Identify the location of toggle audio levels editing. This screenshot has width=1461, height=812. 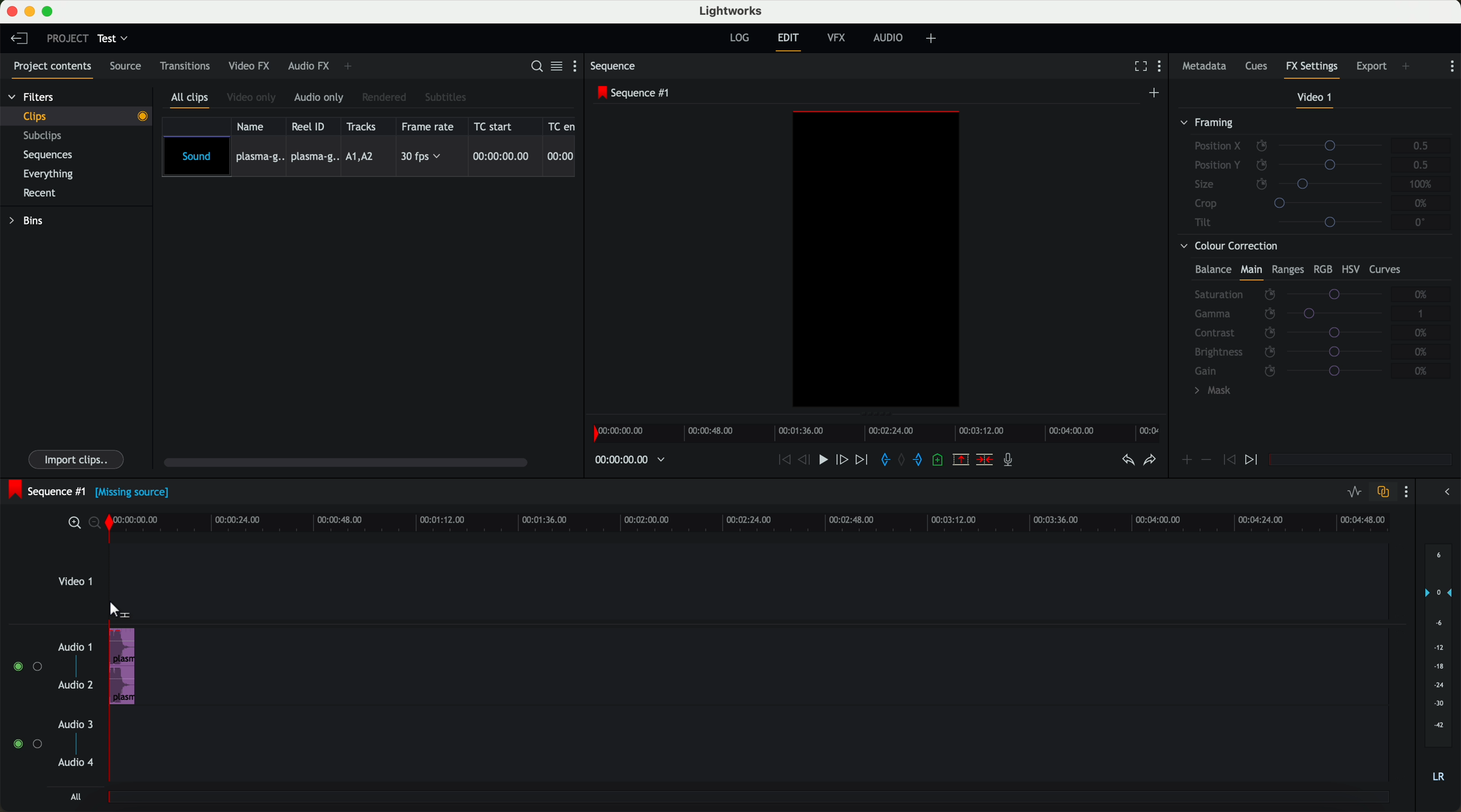
(1354, 492).